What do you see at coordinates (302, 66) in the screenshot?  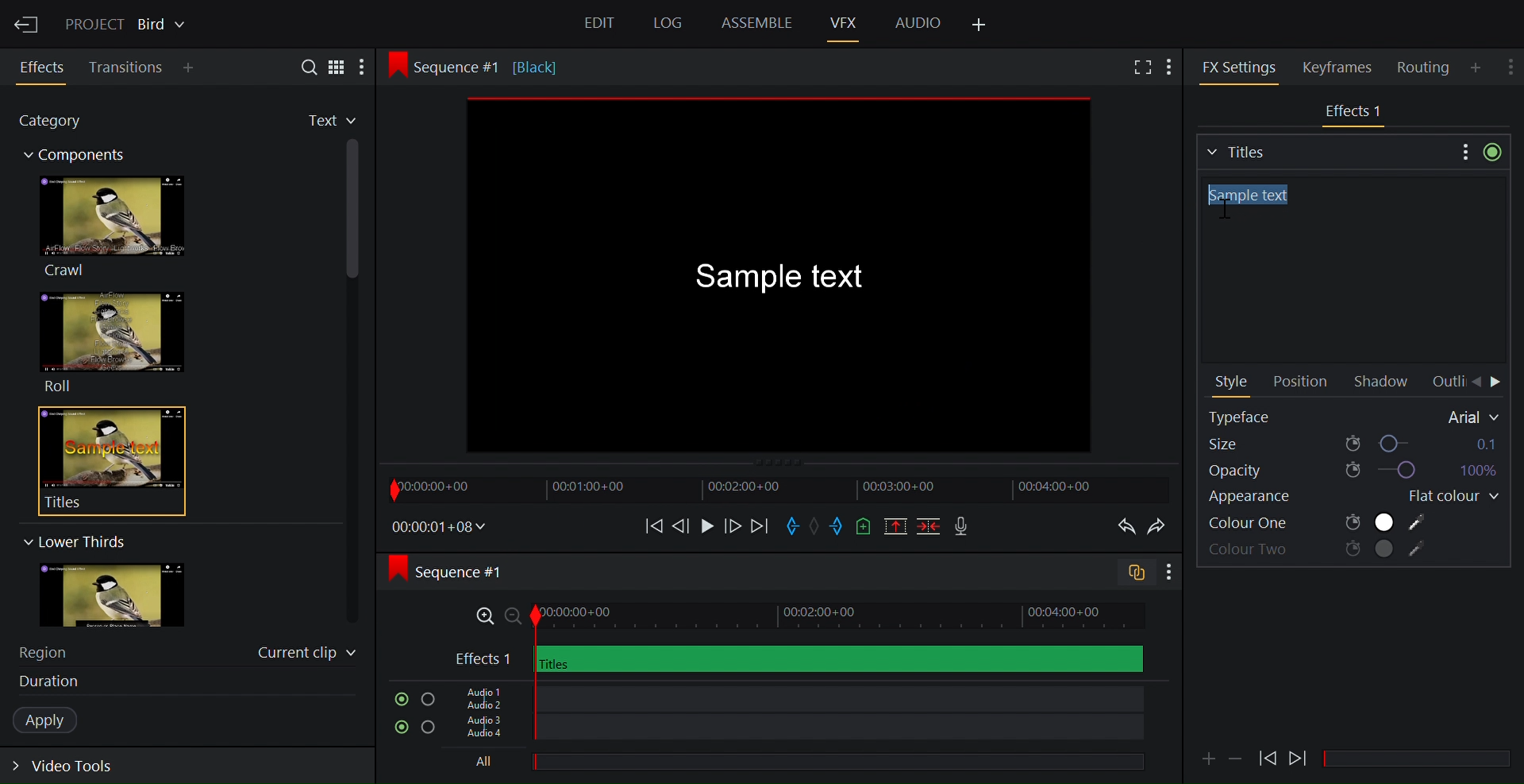 I see `Search` at bounding box center [302, 66].